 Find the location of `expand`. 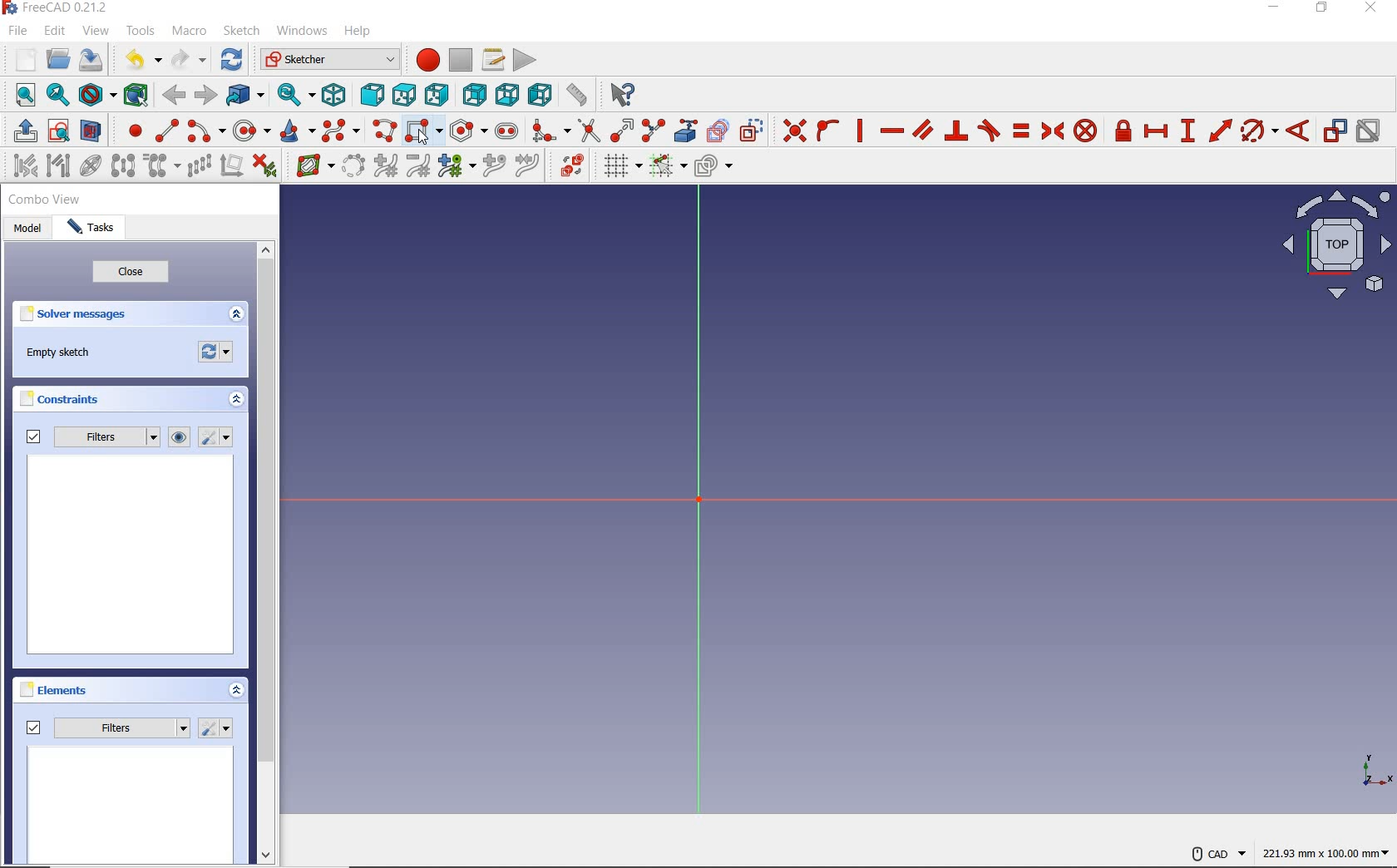

expand is located at coordinates (236, 315).